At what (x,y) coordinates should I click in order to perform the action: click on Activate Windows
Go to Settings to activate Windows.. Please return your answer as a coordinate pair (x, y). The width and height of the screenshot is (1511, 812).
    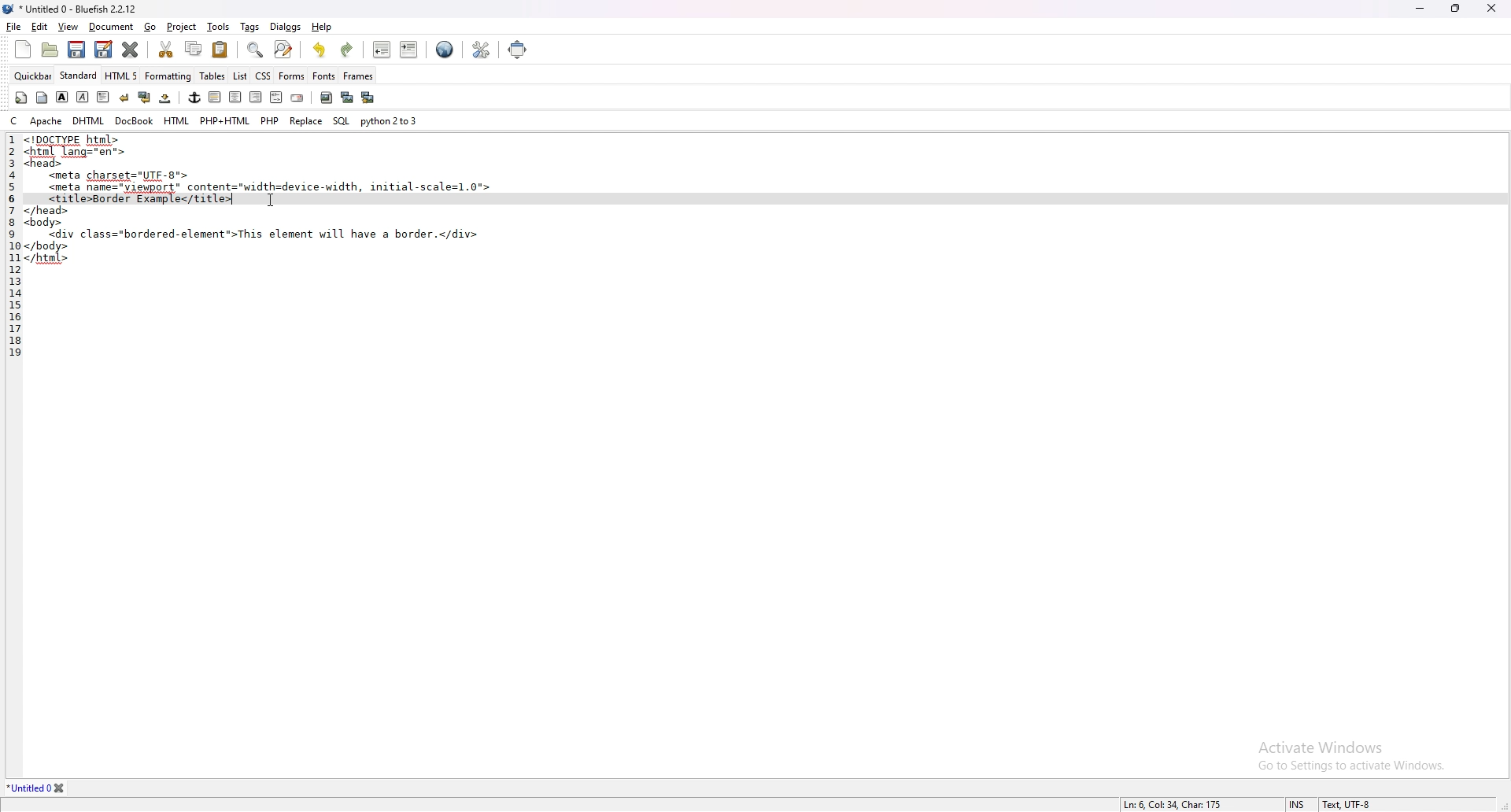
    Looking at the image, I should click on (1345, 749).